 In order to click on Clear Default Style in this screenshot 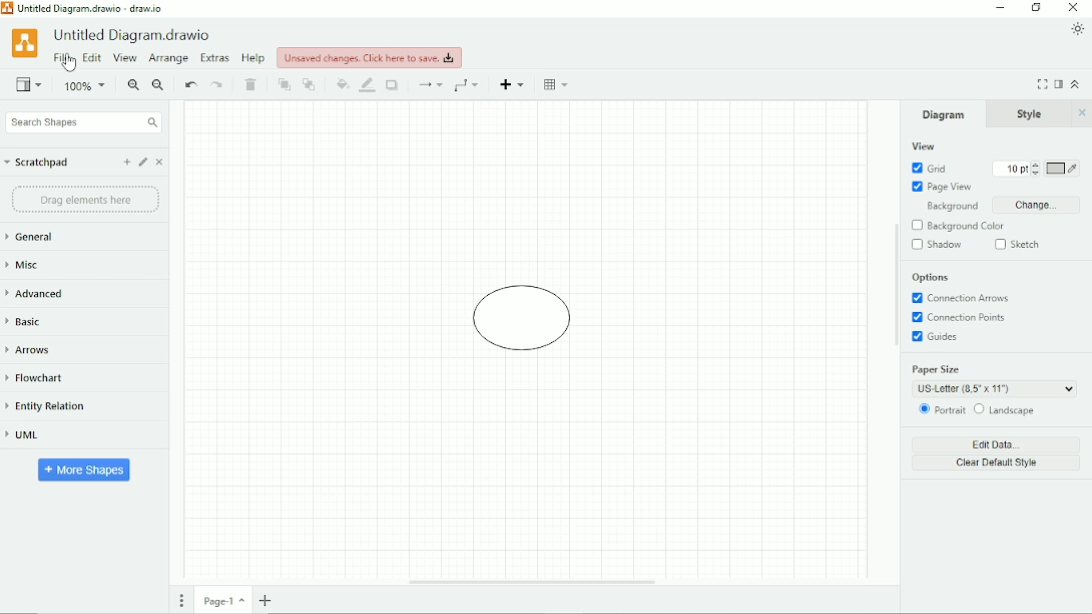, I will do `click(996, 463)`.